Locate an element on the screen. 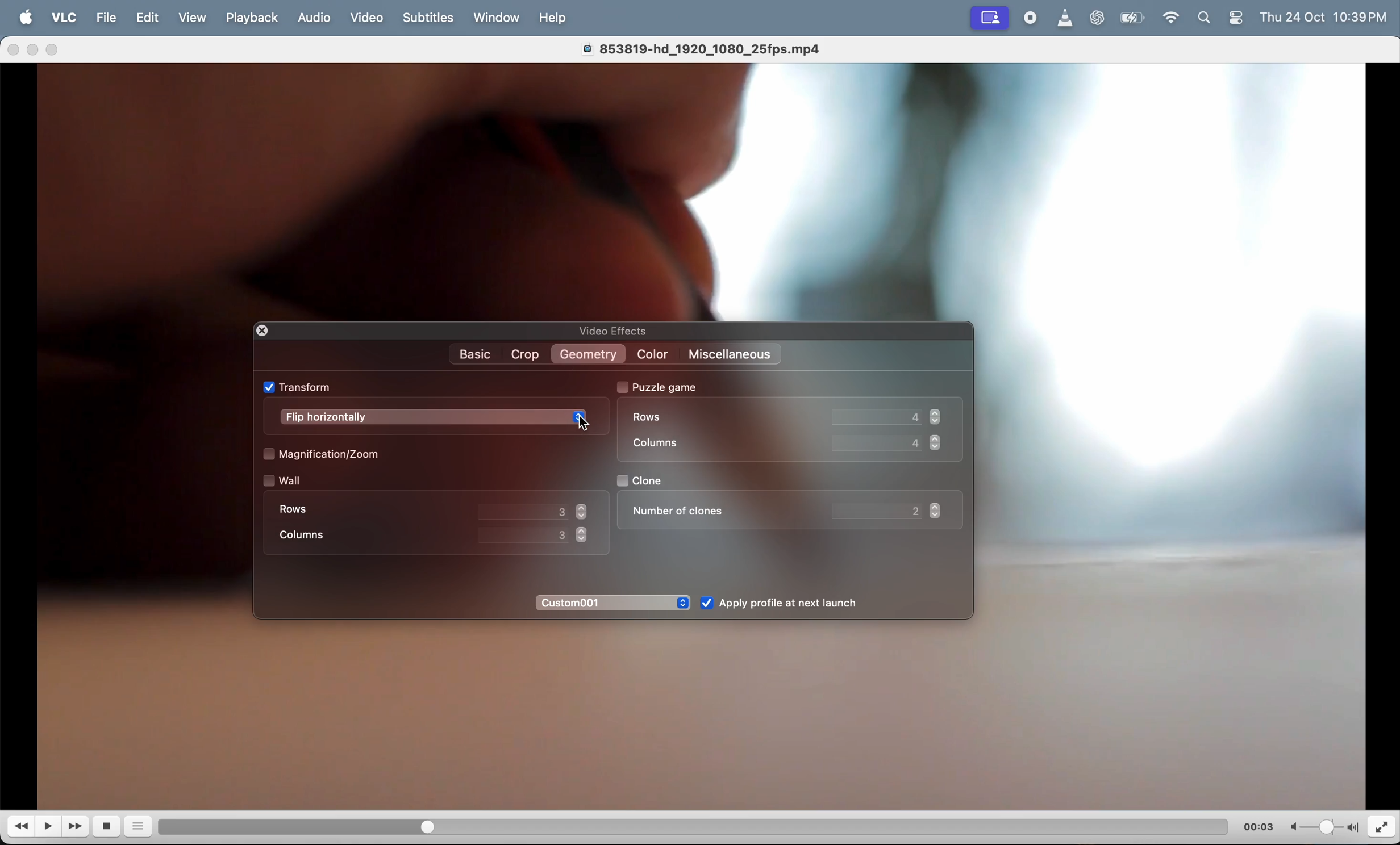  close is located at coordinates (15, 49).